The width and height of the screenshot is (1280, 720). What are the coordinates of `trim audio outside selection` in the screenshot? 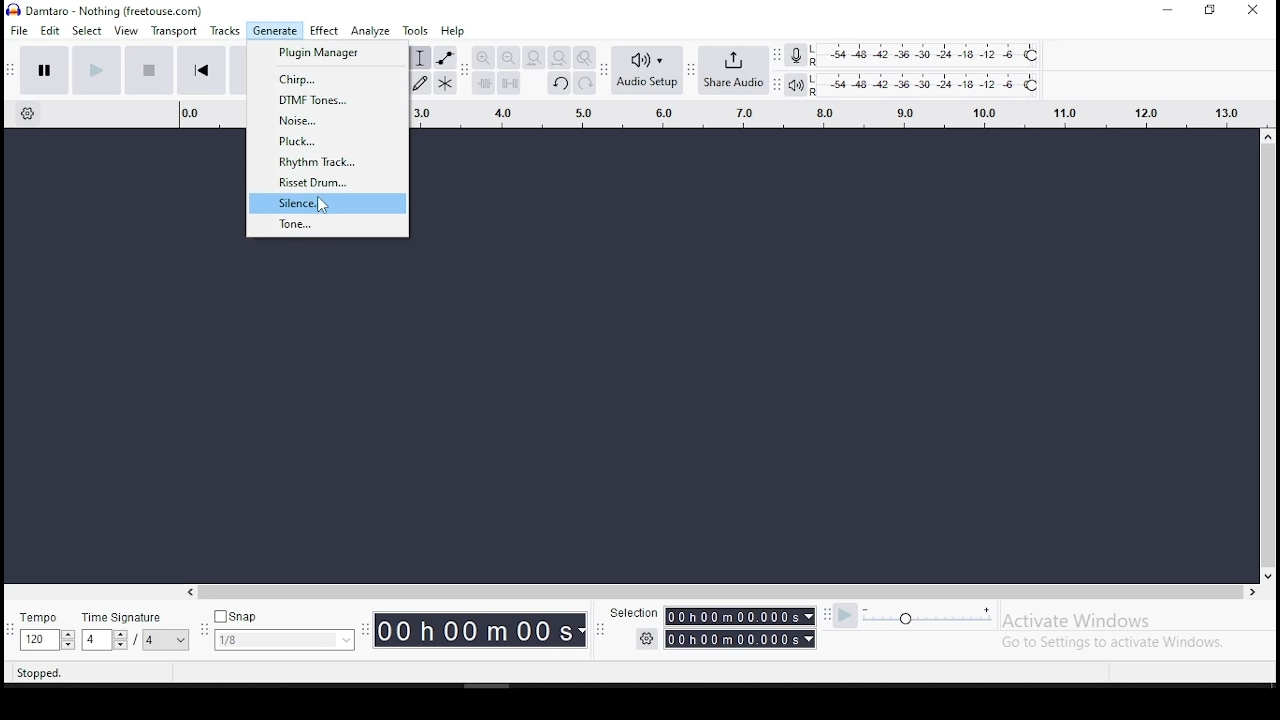 It's located at (483, 83).